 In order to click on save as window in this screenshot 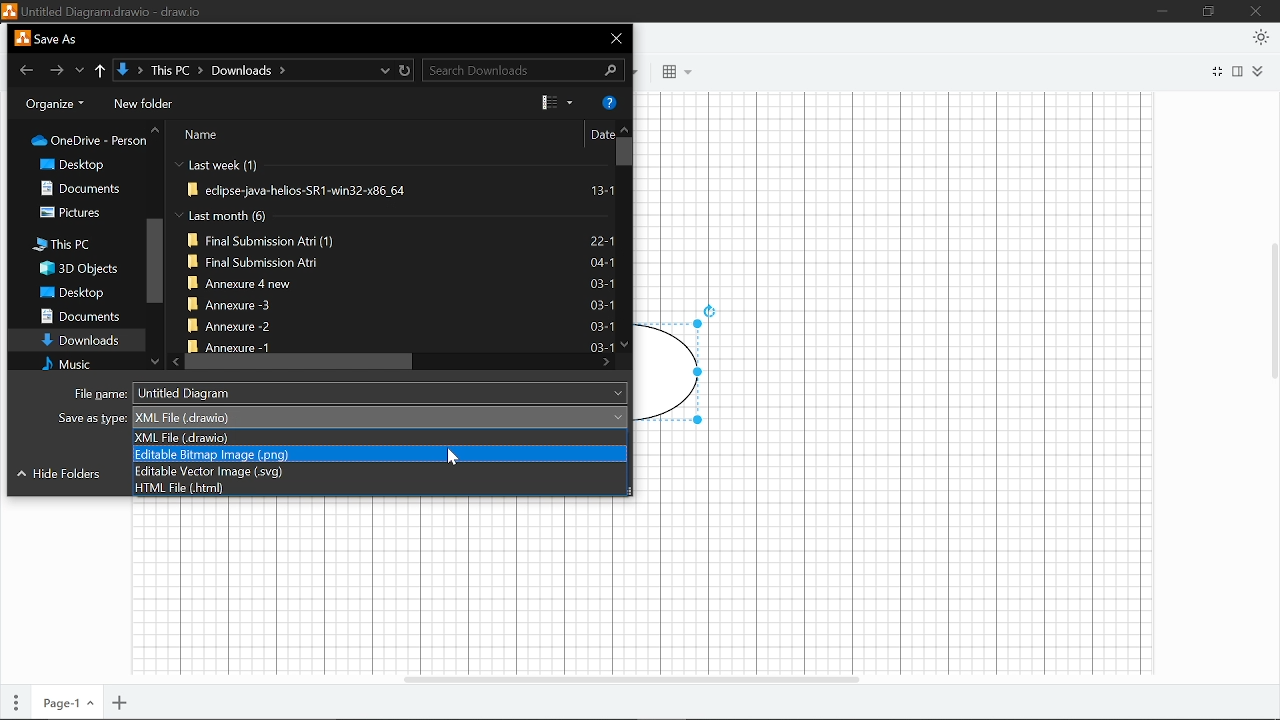, I will do `click(46, 38)`.